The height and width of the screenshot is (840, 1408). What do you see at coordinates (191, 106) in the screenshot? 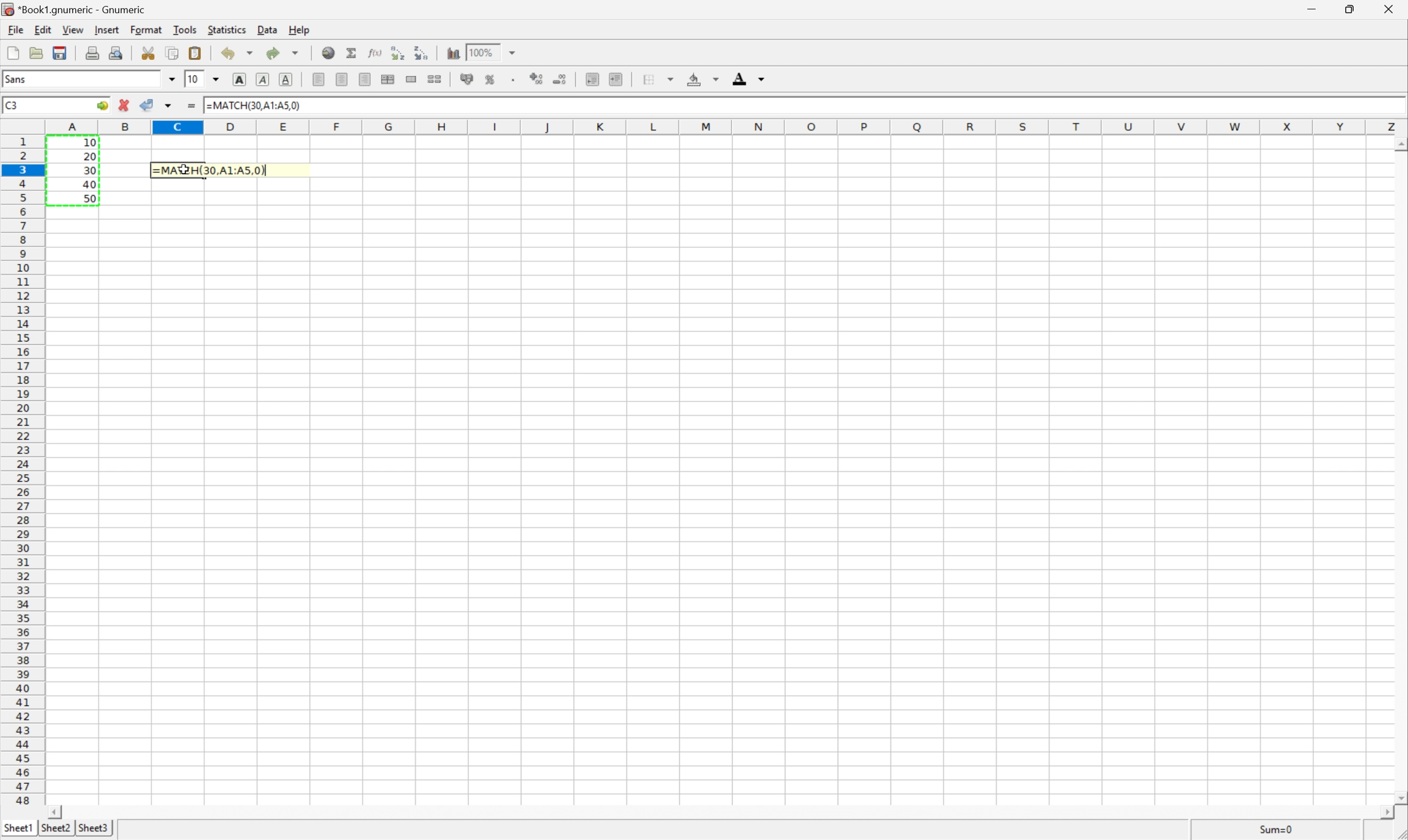
I see `Enter formula` at bounding box center [191, 106].